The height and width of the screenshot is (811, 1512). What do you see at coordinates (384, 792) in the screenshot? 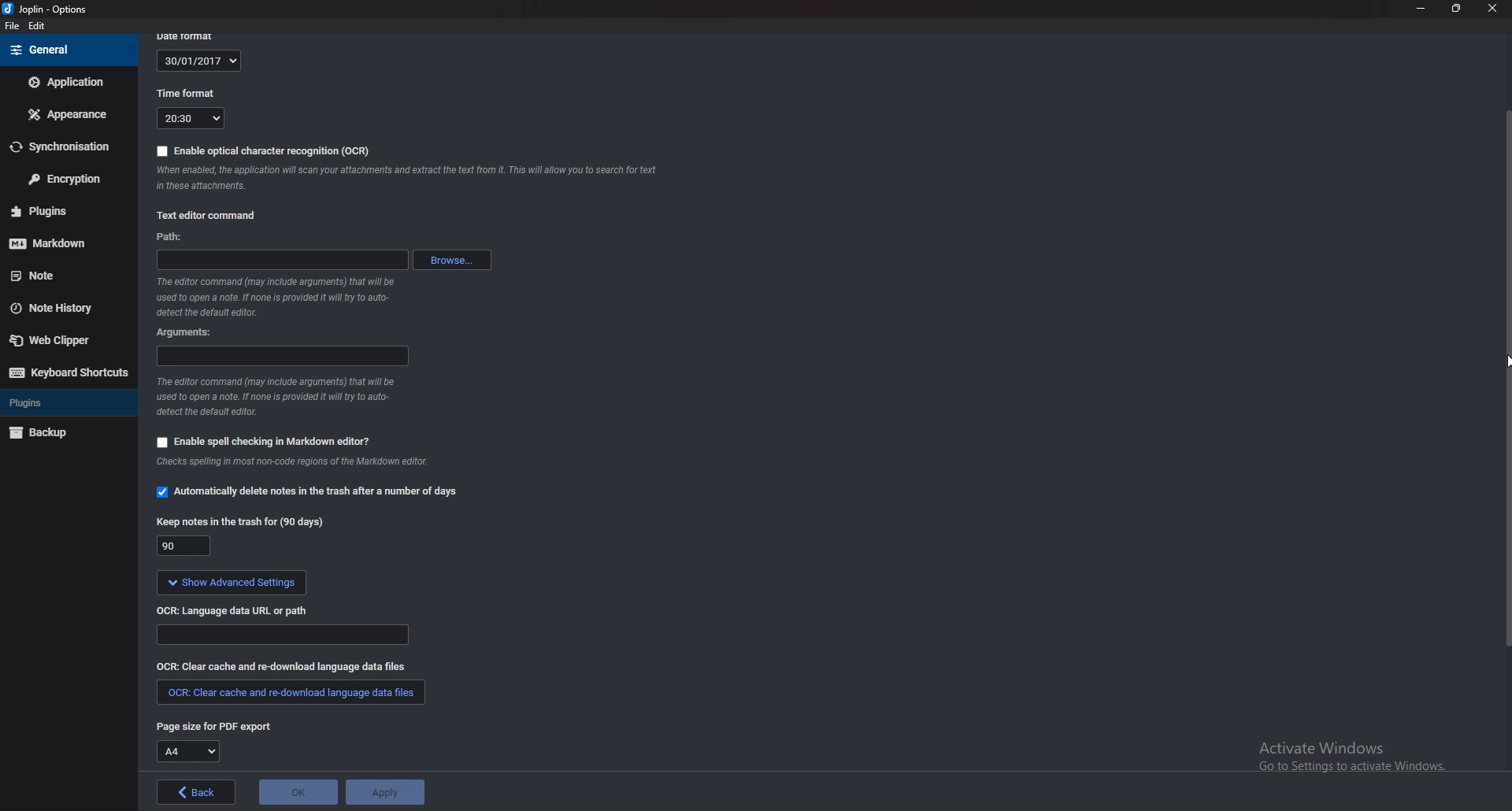
I see `apply` at bounding box center [384, 792].